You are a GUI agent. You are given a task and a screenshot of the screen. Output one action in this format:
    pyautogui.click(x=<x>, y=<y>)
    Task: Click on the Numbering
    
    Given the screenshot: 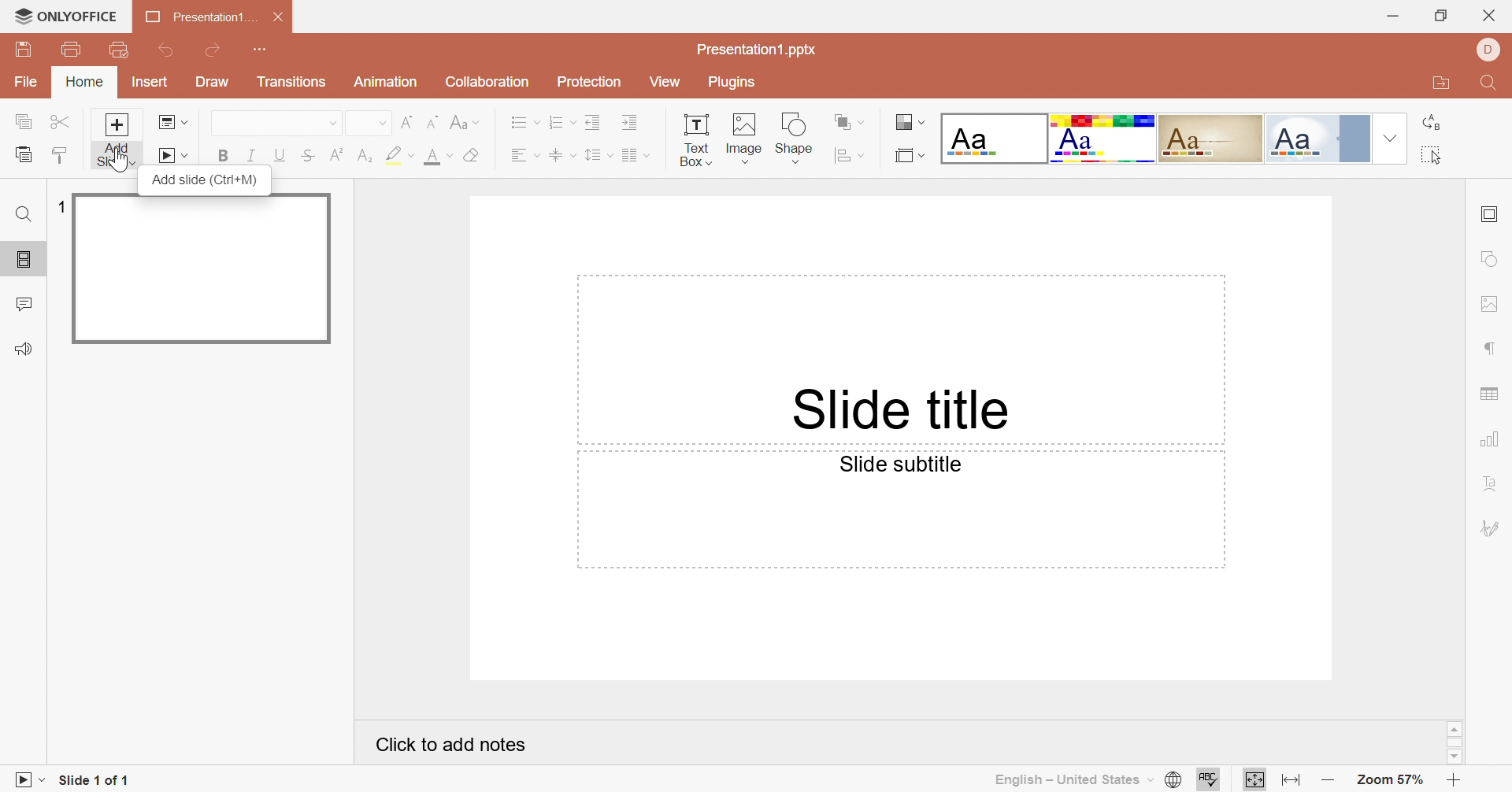 What is the action you would take?
    pyautogui.click(x=565, y=121)
    